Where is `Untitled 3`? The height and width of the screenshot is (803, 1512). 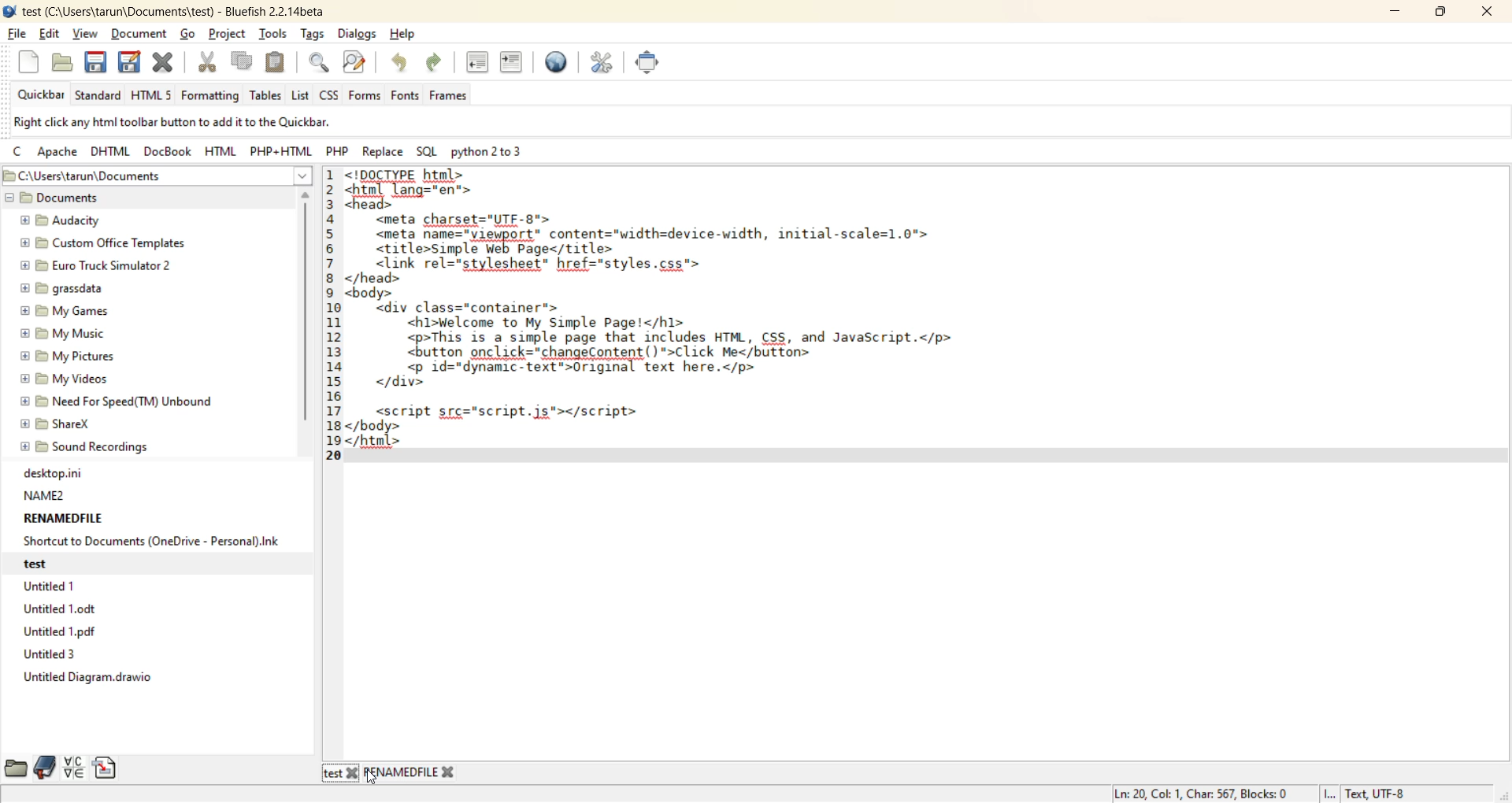 Untitled 3 is located at coordinates (54, 655).